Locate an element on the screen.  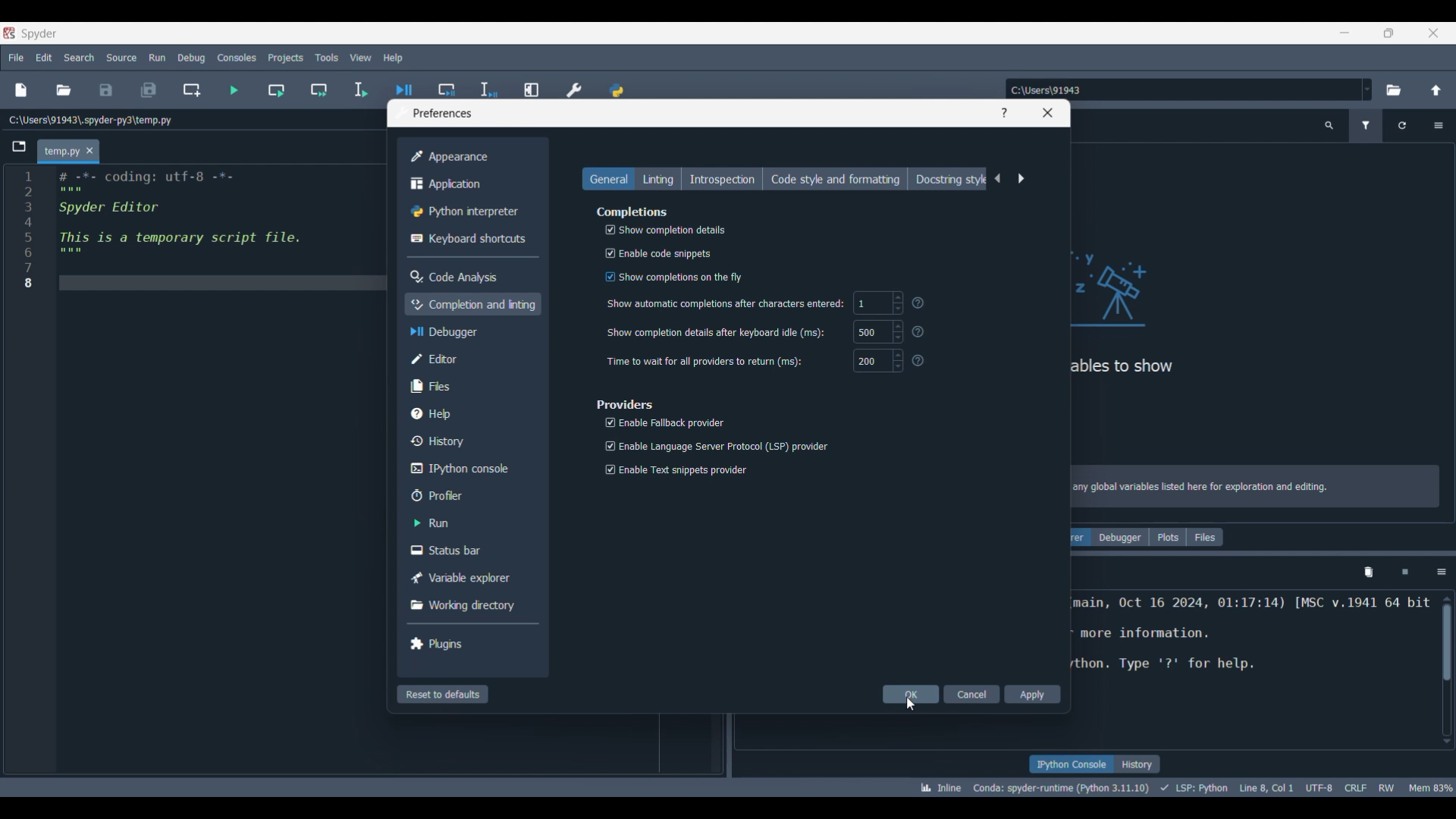
? is located at coordinates (921, 331).